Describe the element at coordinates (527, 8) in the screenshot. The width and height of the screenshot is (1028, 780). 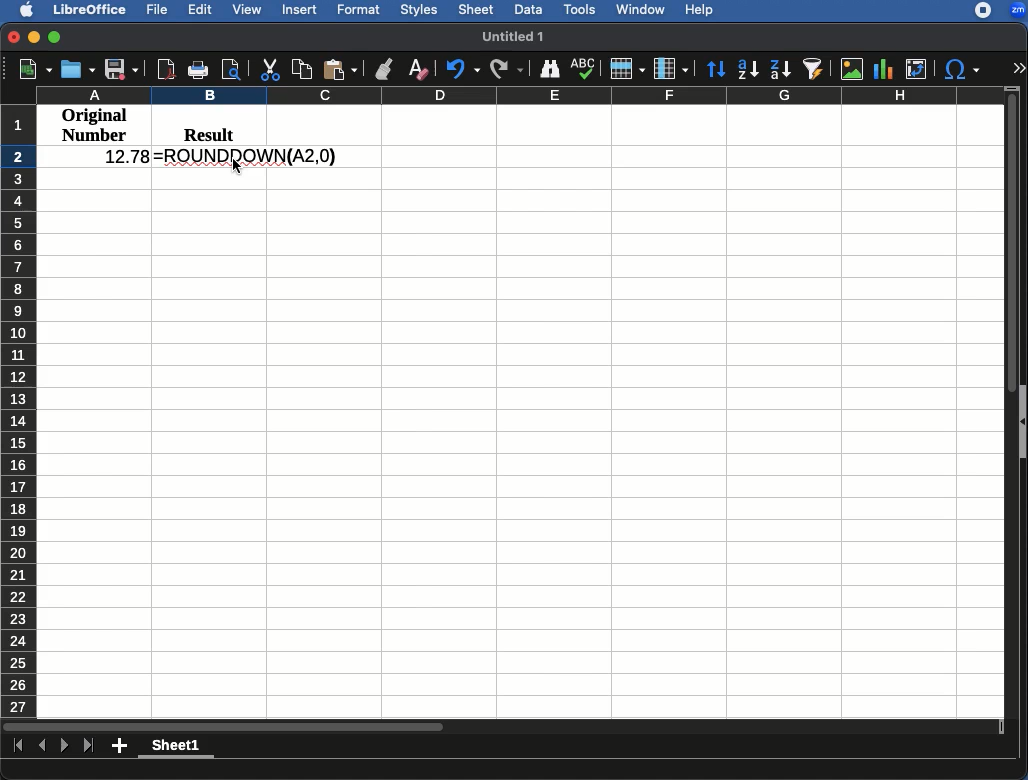
I see `Data` at that location.